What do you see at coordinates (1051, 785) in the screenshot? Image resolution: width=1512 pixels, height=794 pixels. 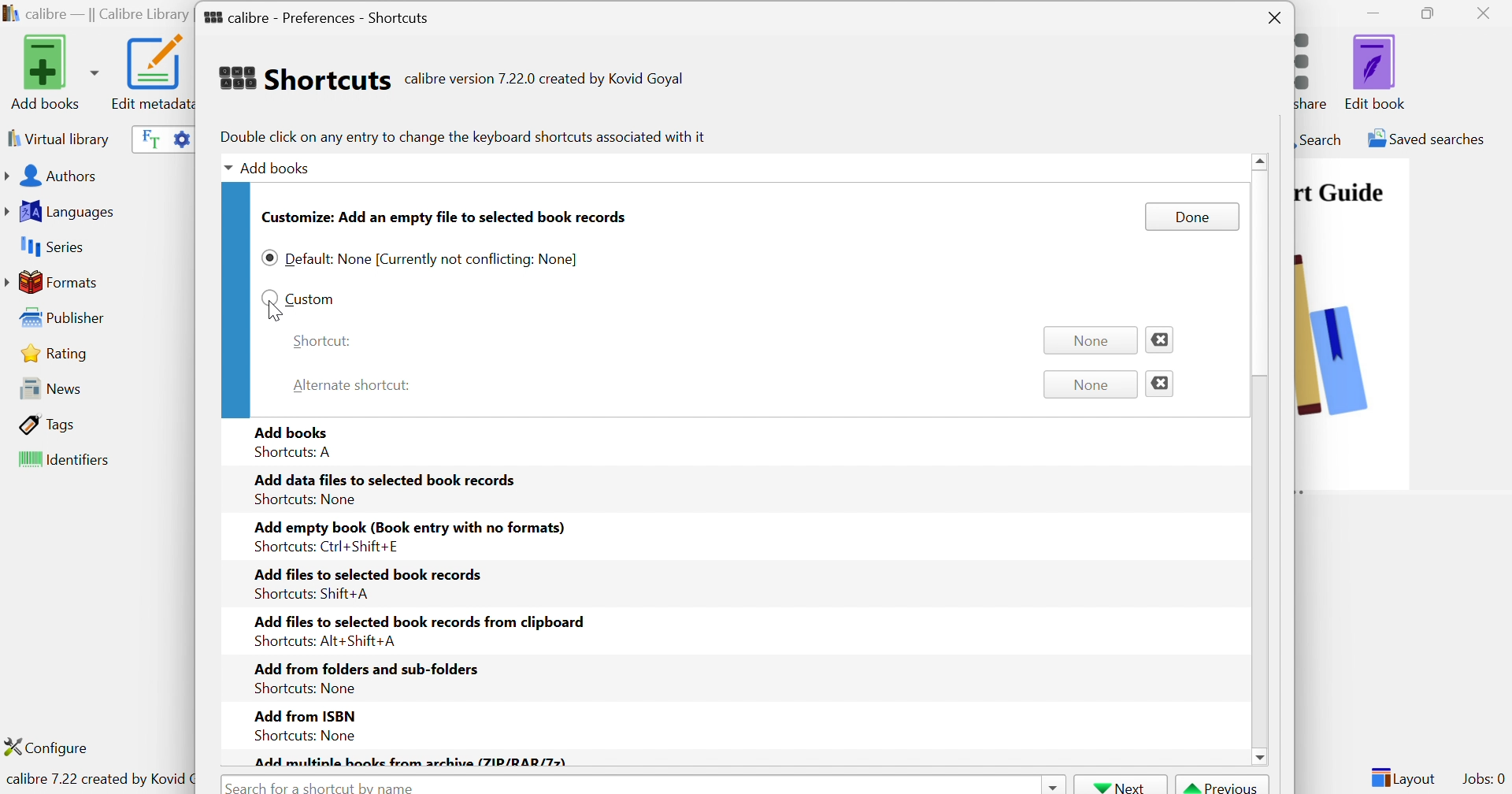 I see `Drop Down` at bounding box center [1051, 785].